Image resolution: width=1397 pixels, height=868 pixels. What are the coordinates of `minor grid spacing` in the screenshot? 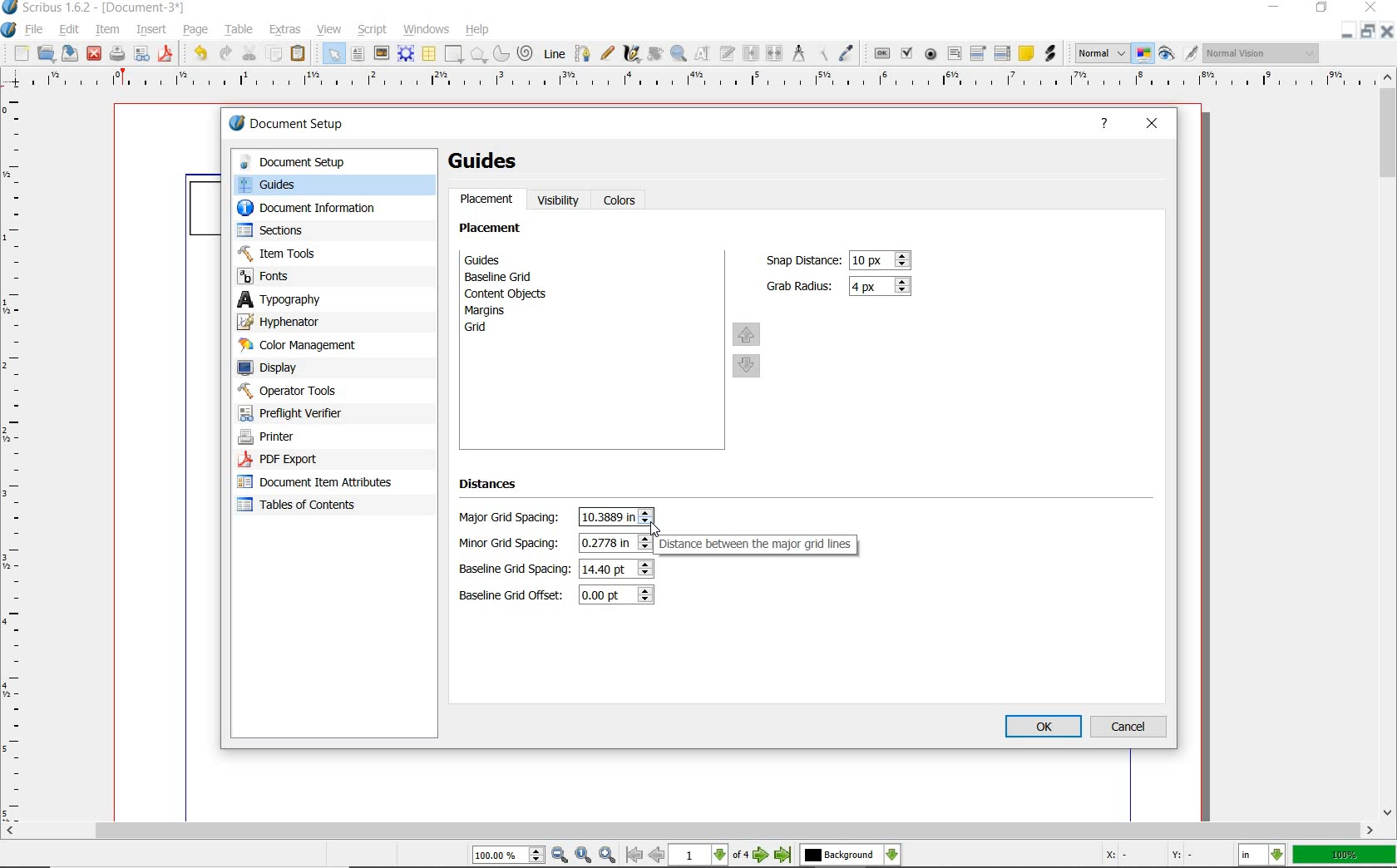 It's located at (615, 542).